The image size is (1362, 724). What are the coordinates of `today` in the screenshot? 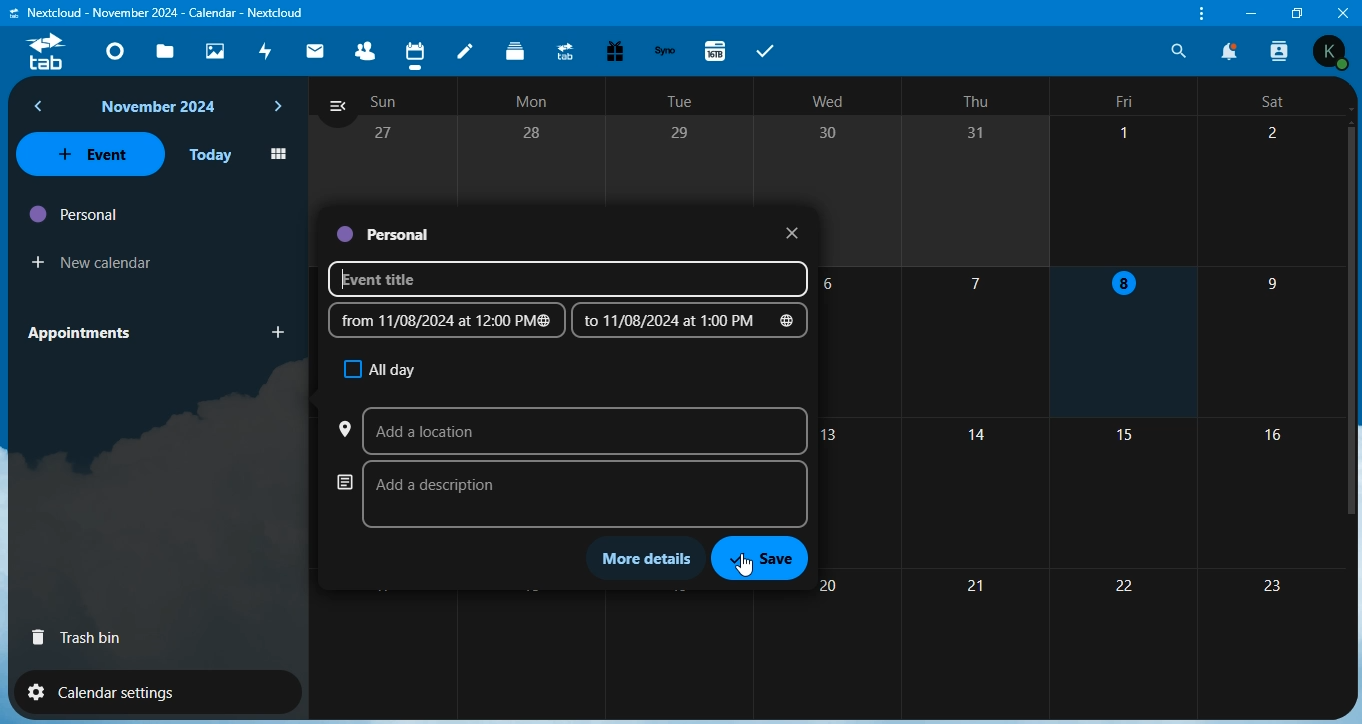 It's located at (213, 154).